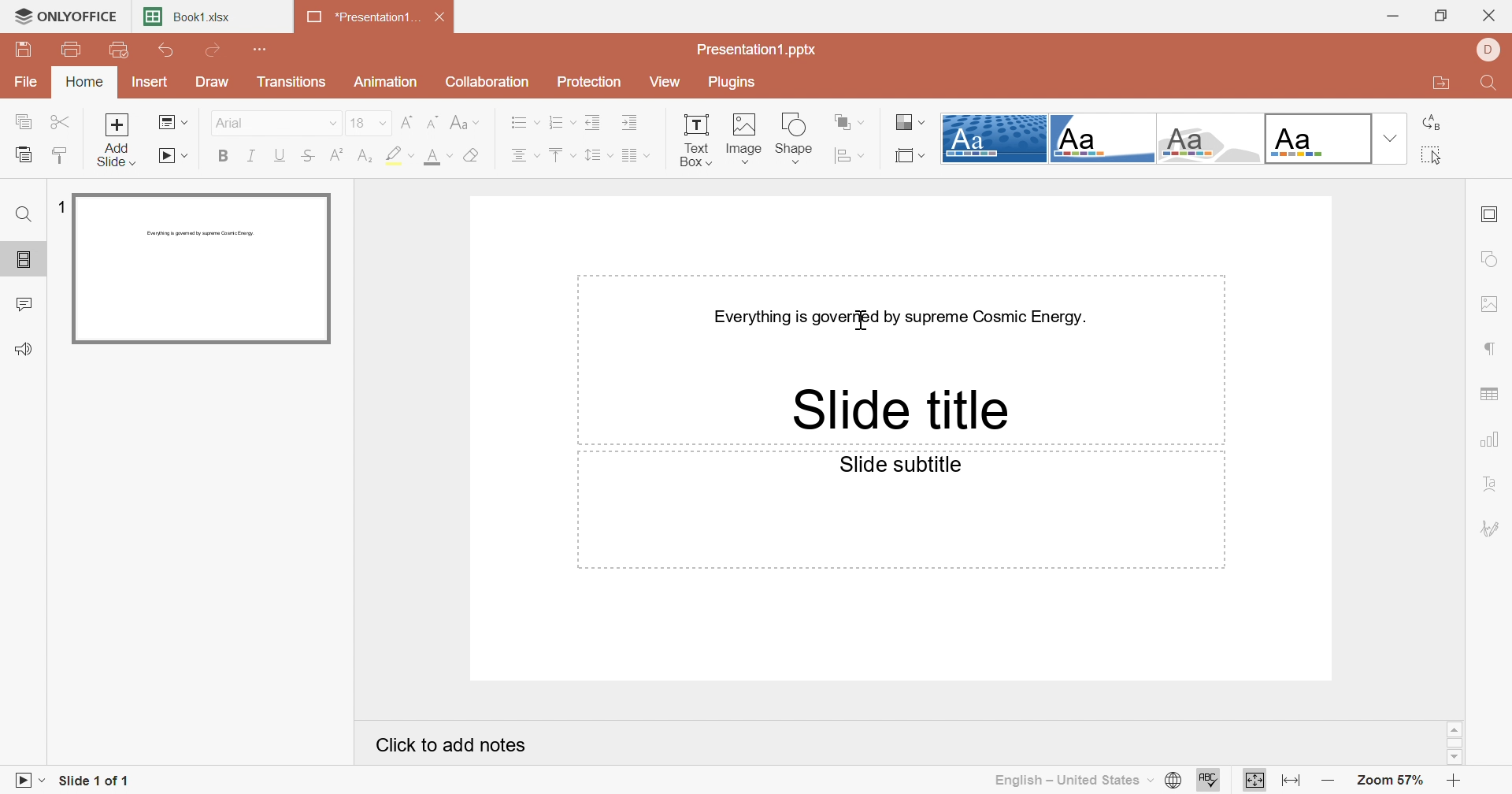  What do you see at coordinates (292, 81) in the screenshot?
I see `Transitions` at bounding box center [292, 81].